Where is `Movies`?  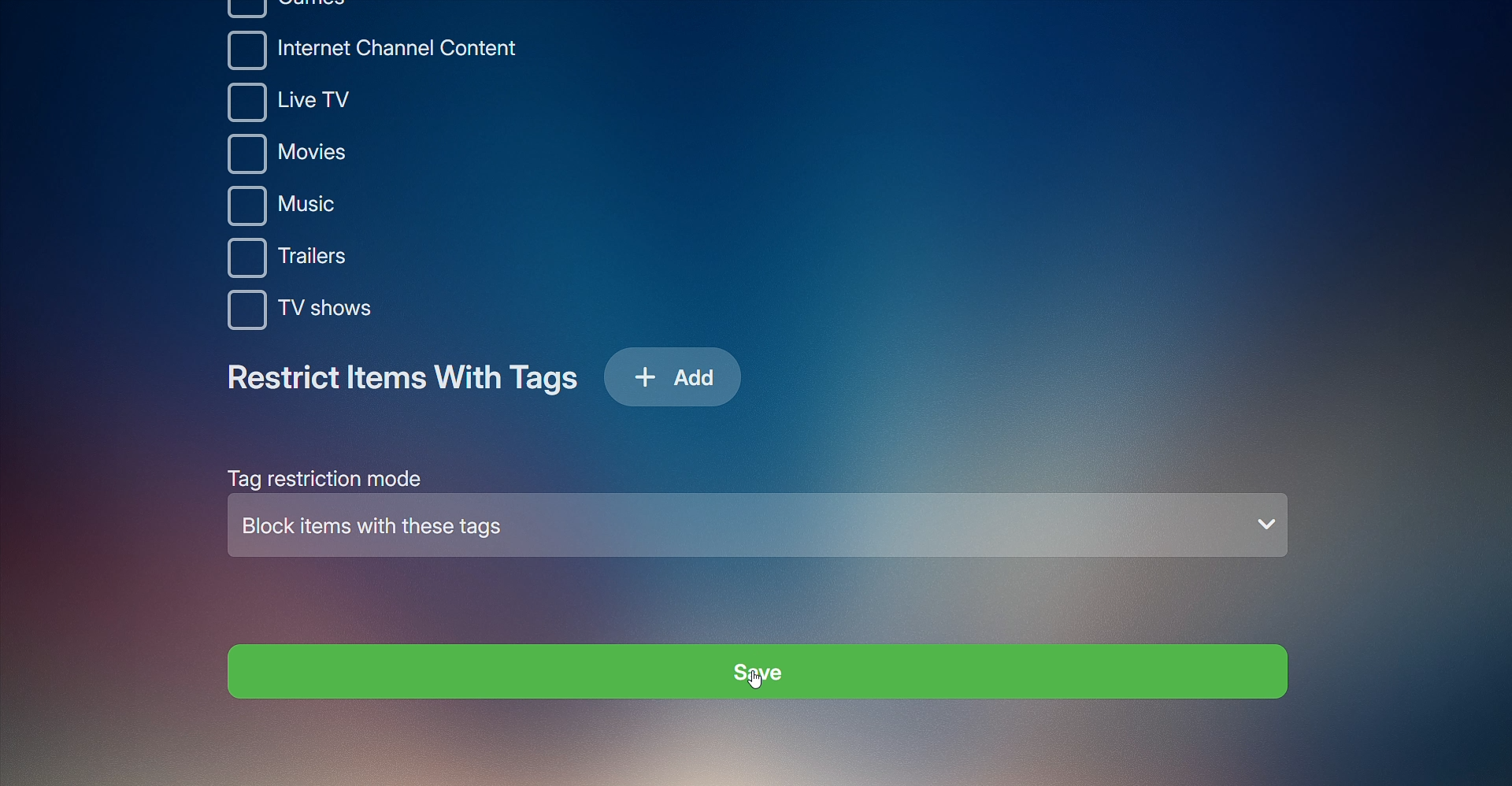
Movies is located at coordinates (326, 157).